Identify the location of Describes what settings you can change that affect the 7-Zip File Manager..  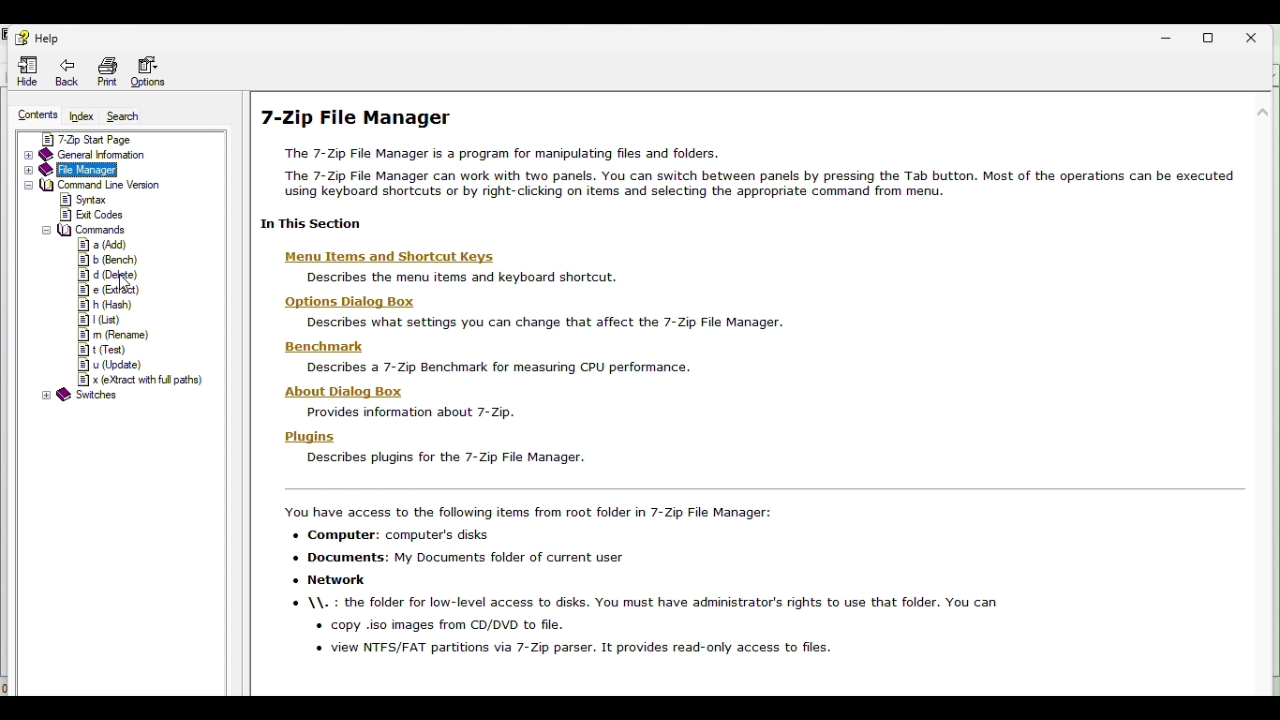
(537, 322).